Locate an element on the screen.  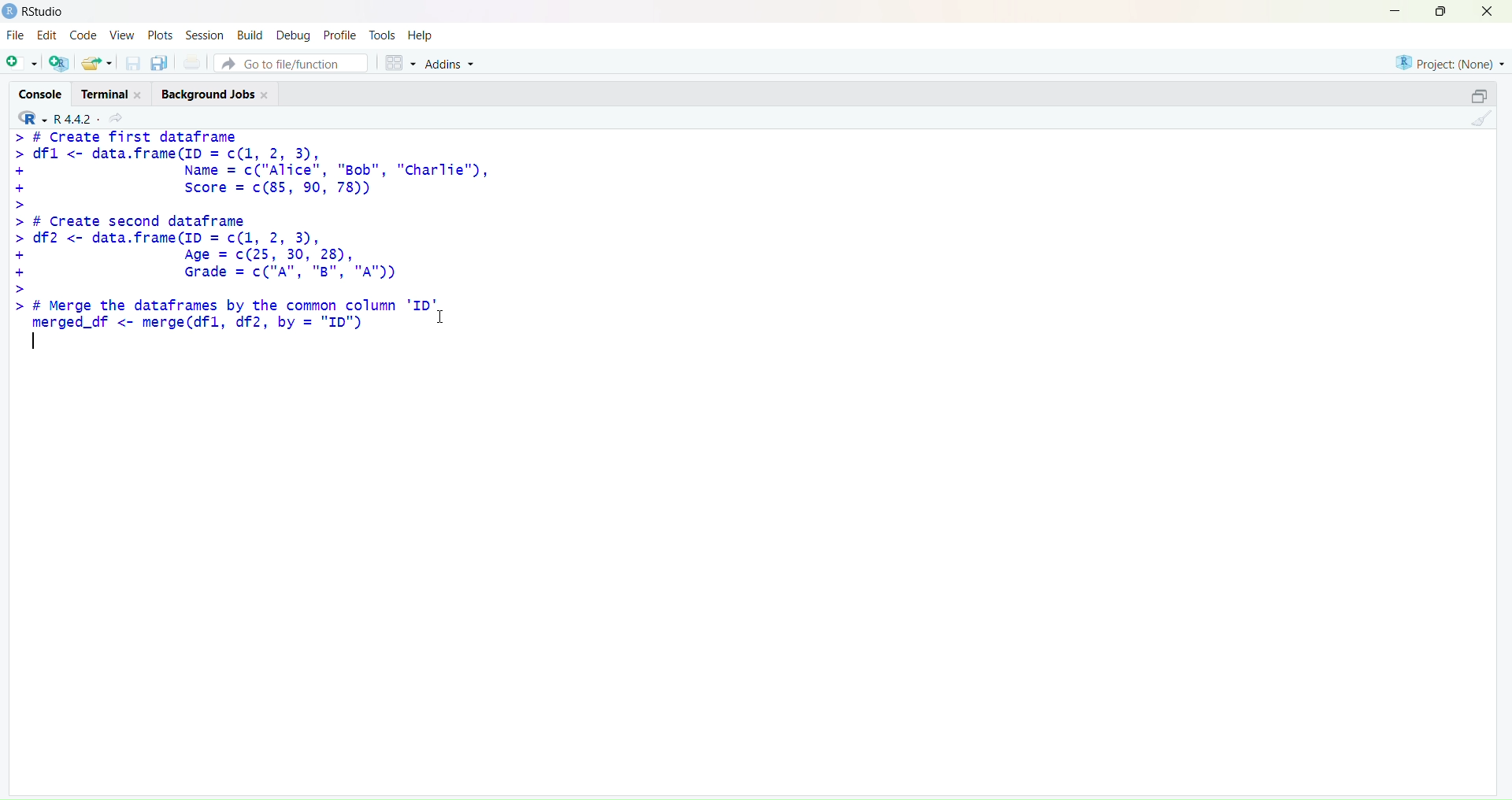
Project: (None) is located at coordinates (1451, 62).